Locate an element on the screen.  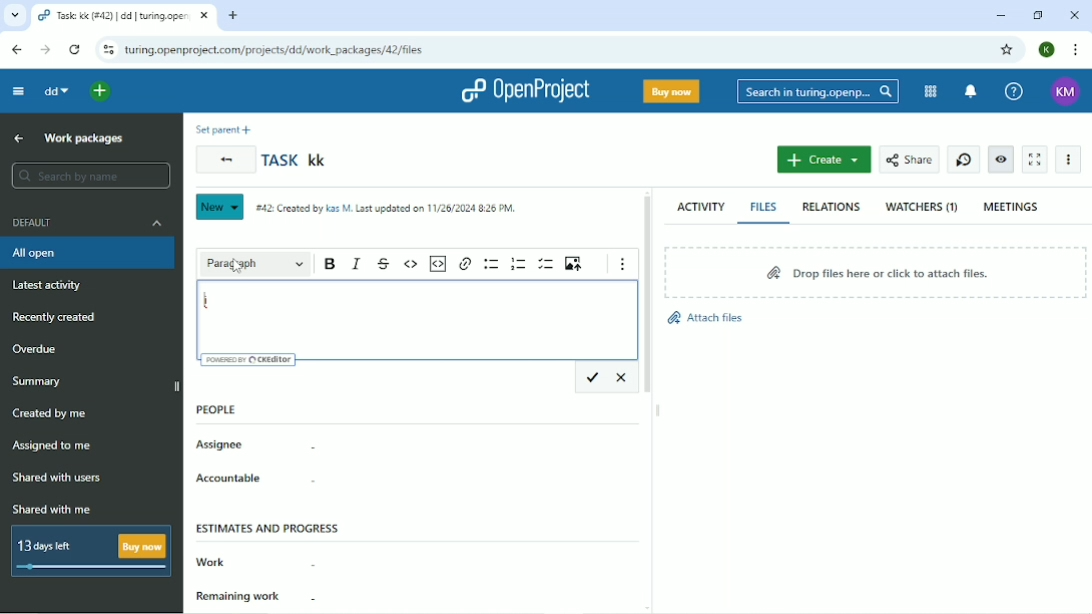
Customize and control google chrome is located at coordinates (1073, 49).